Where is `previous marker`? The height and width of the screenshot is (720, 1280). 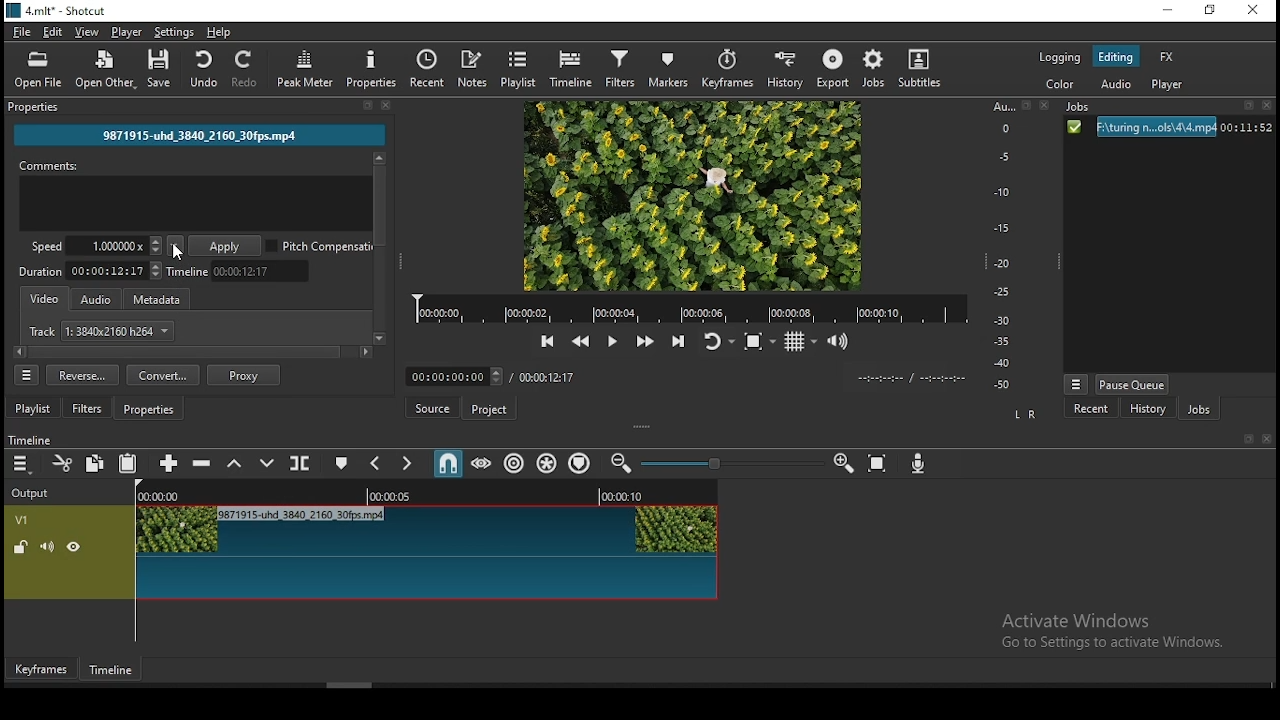 previous marker is located at coordinates (377, 465).